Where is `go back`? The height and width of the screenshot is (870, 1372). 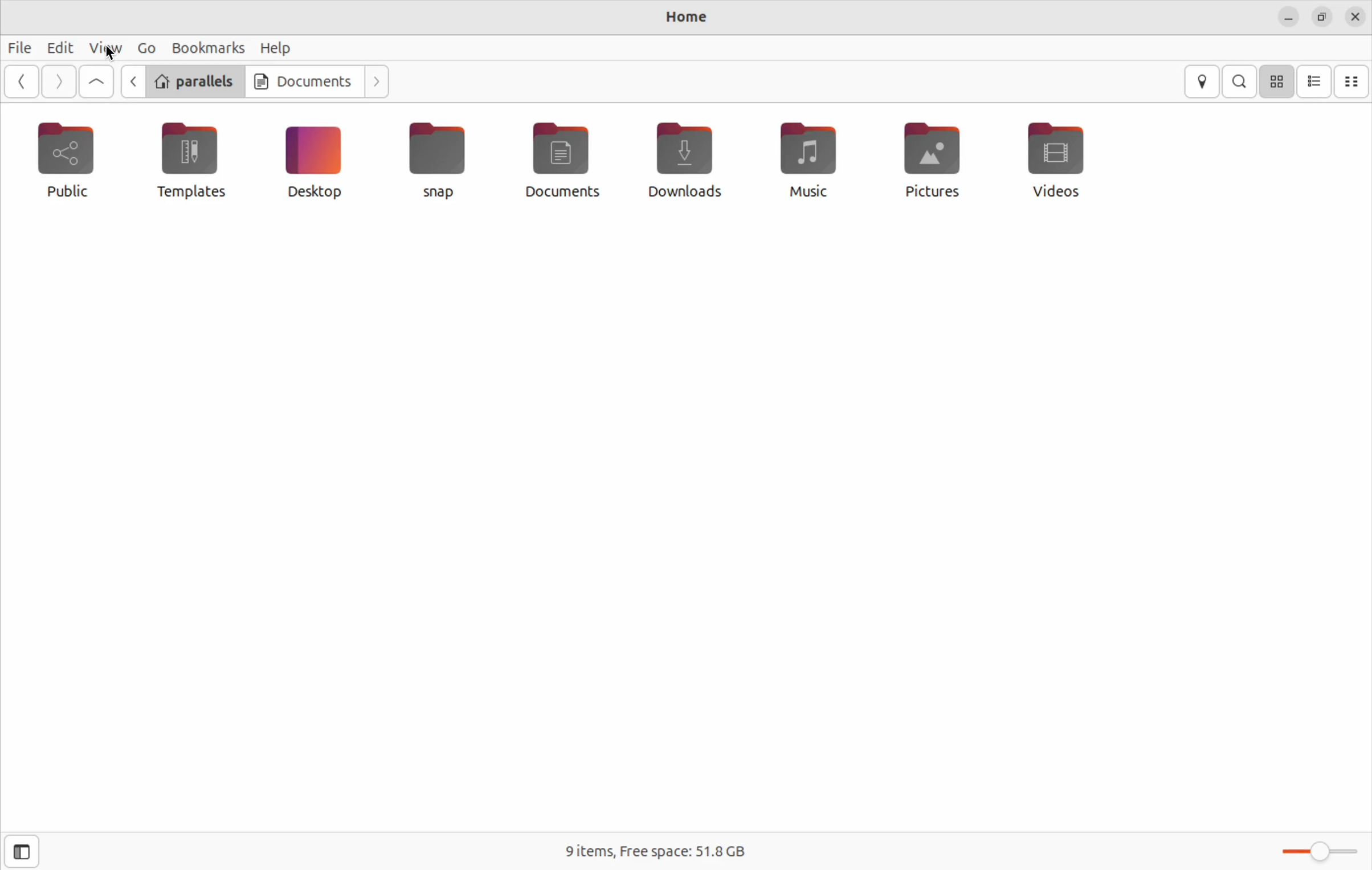
go back is located at coordinates (132, 82).